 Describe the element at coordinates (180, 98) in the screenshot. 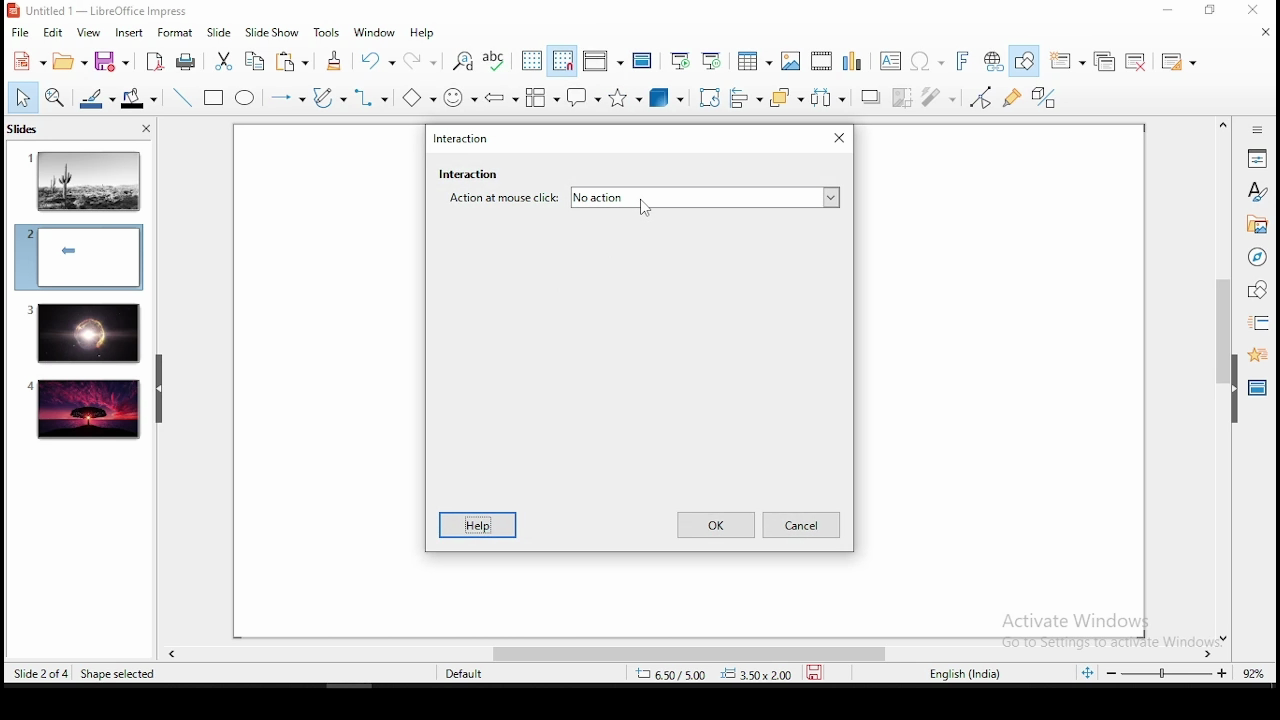

I see `line` at that location.